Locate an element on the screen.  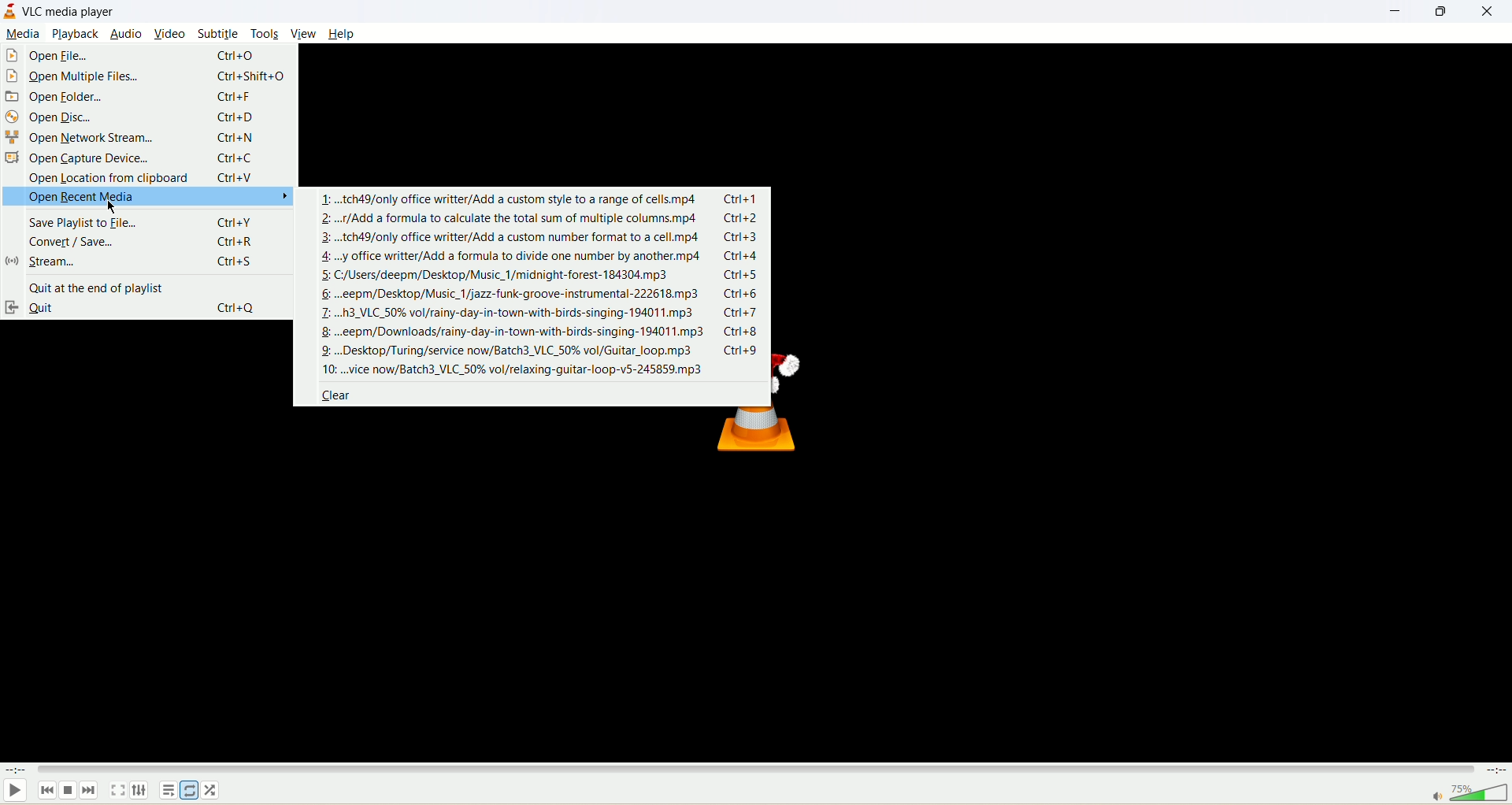
ctrl+6 is located at coordinates (743, 294).